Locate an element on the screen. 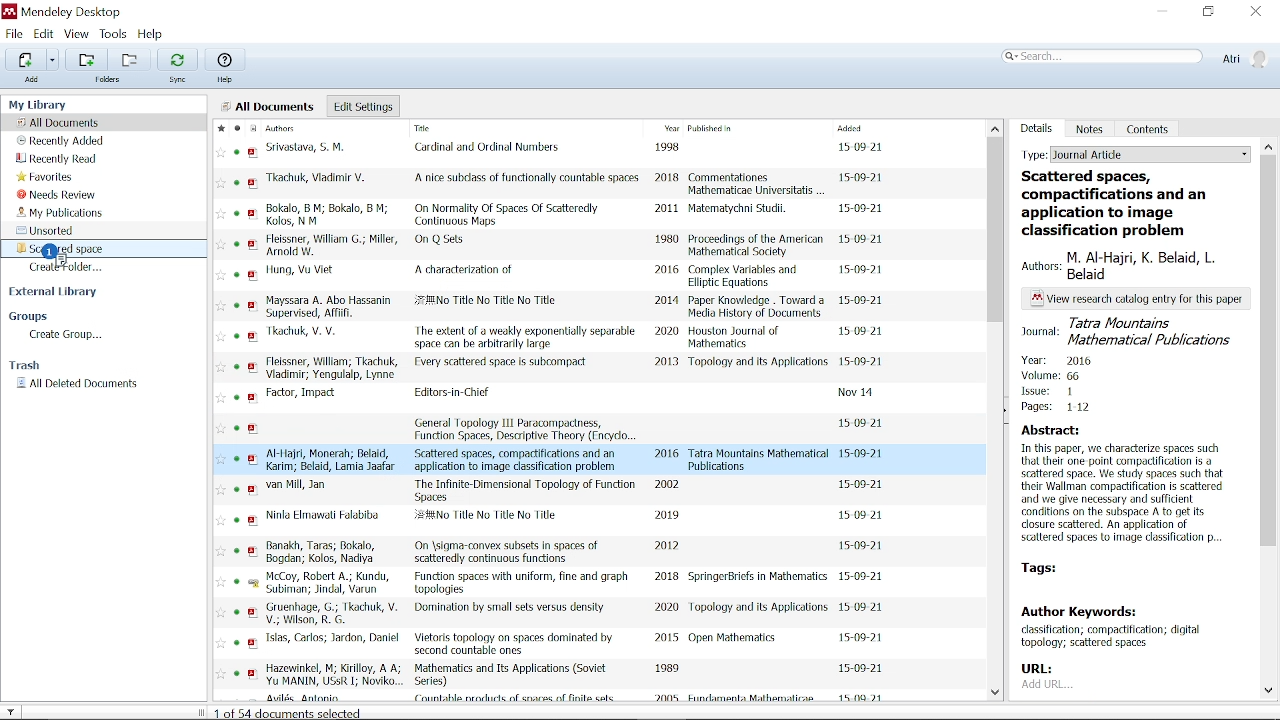 The image size is (1280, 720). help is located at coordinates (227, 80).